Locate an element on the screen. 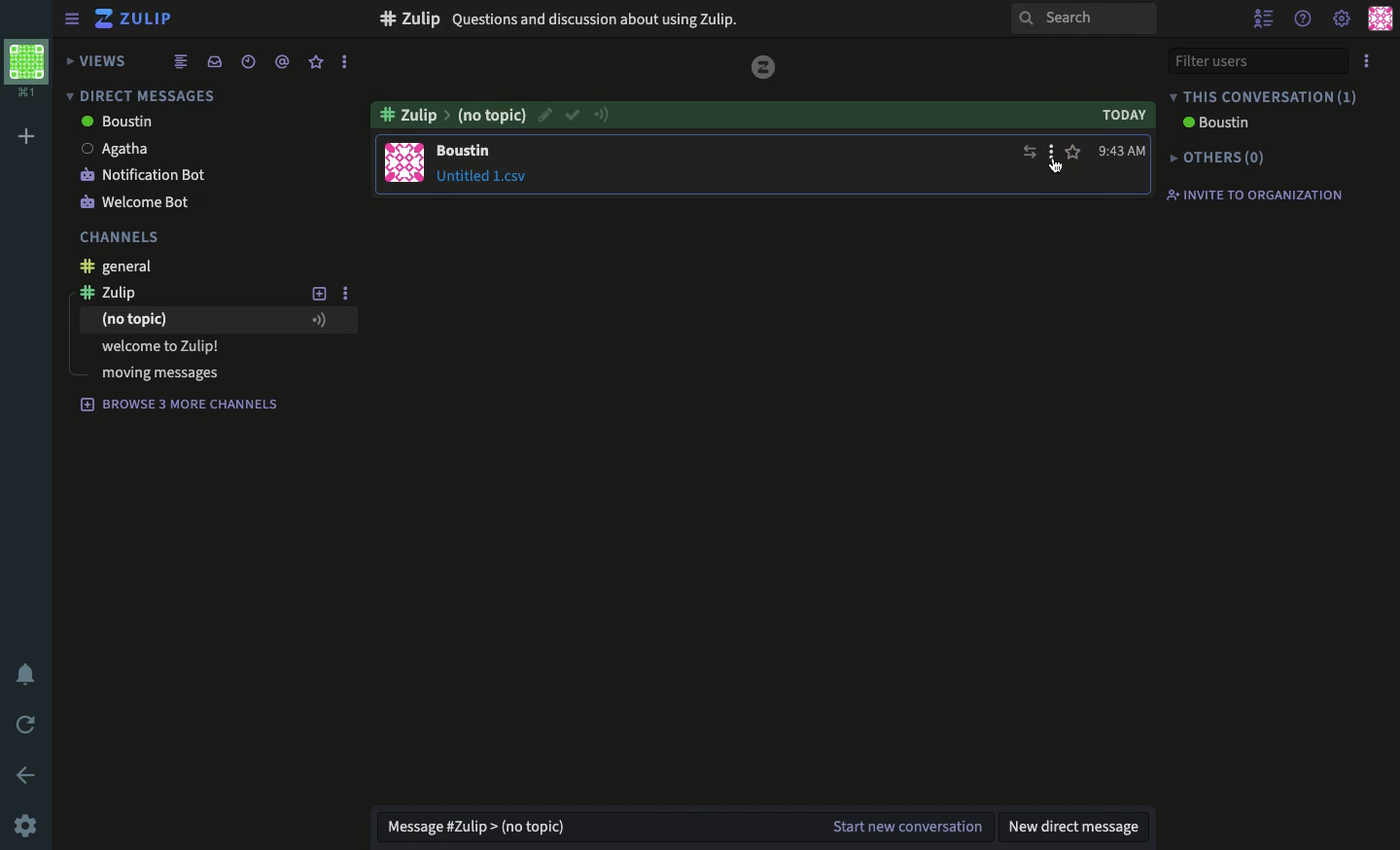 This screenshot has width=1400, height=850. general is located at coordinates (123, 266).